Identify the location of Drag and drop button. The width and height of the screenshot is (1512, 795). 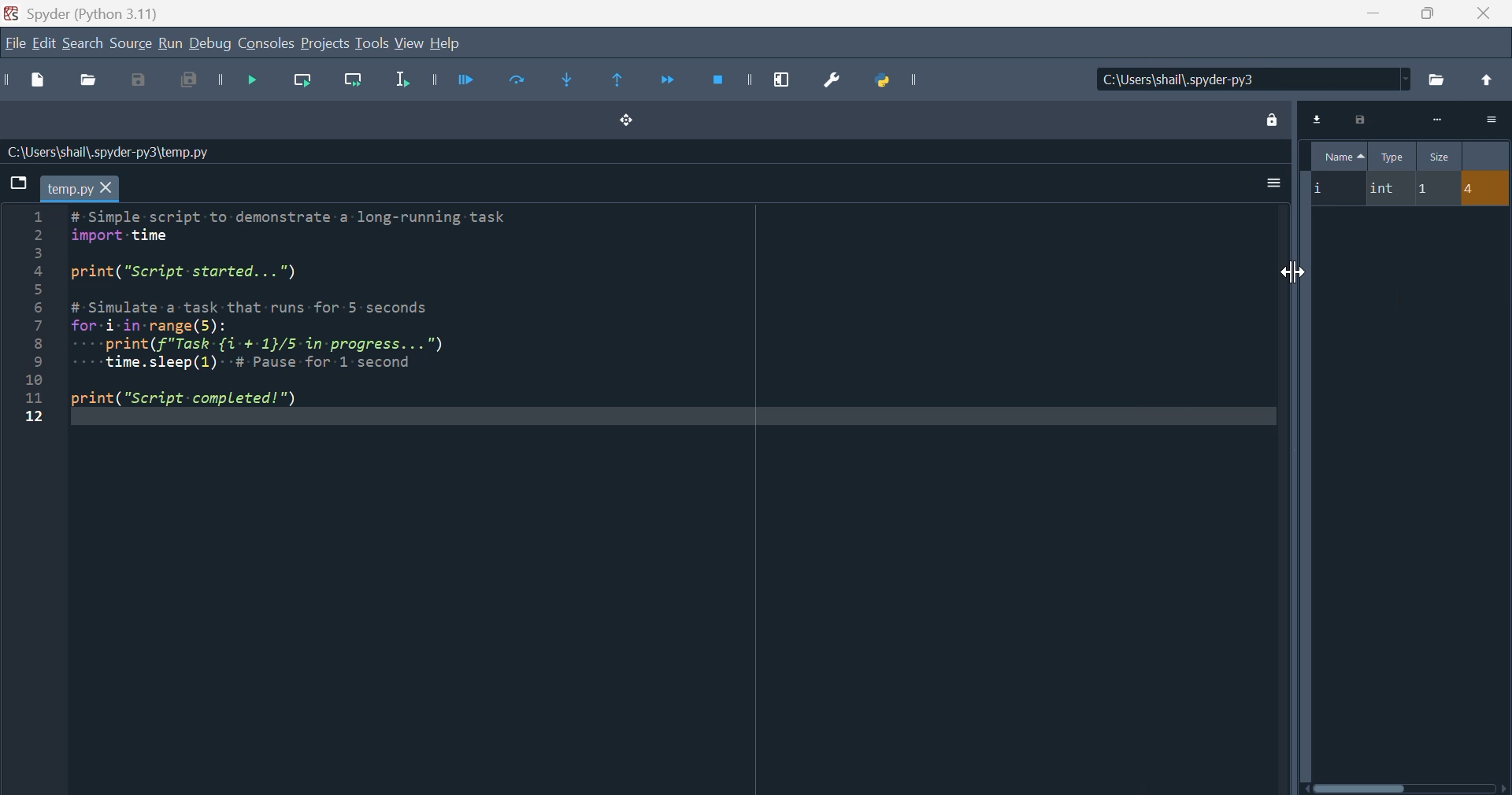
(625, 119).